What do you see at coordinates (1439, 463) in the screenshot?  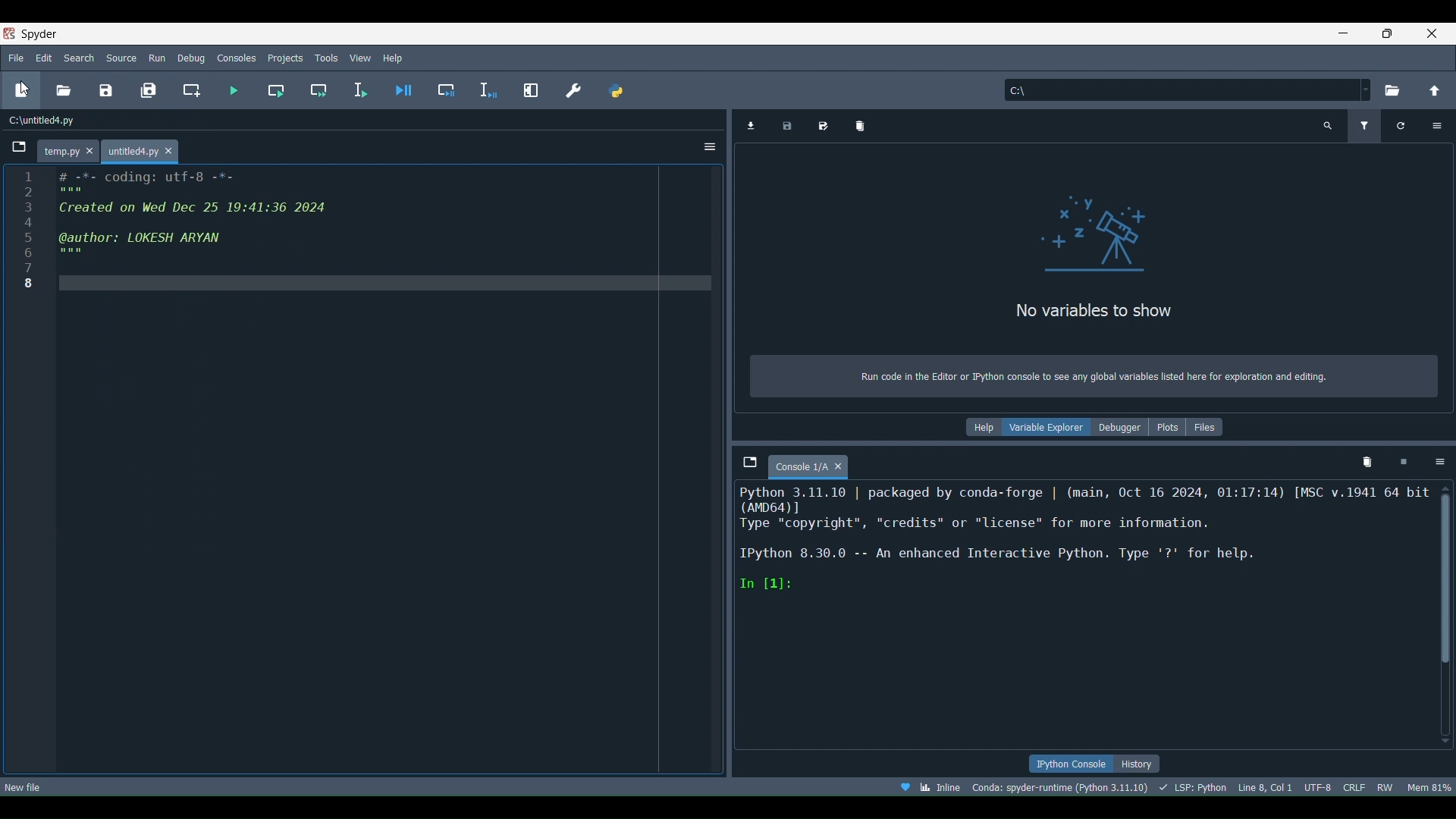 I see `Options` at bounding box center [1439, 463].